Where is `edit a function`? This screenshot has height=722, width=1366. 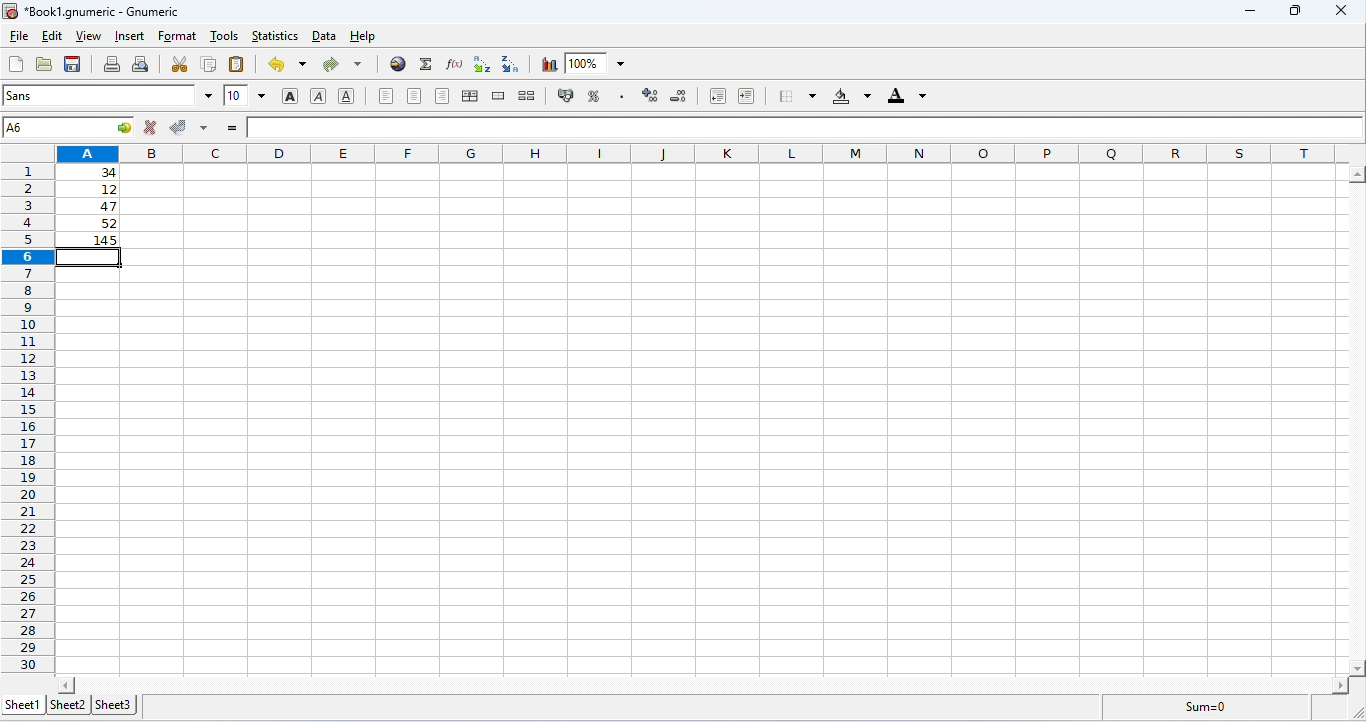 edit a function is located at coordinates (453, 64).